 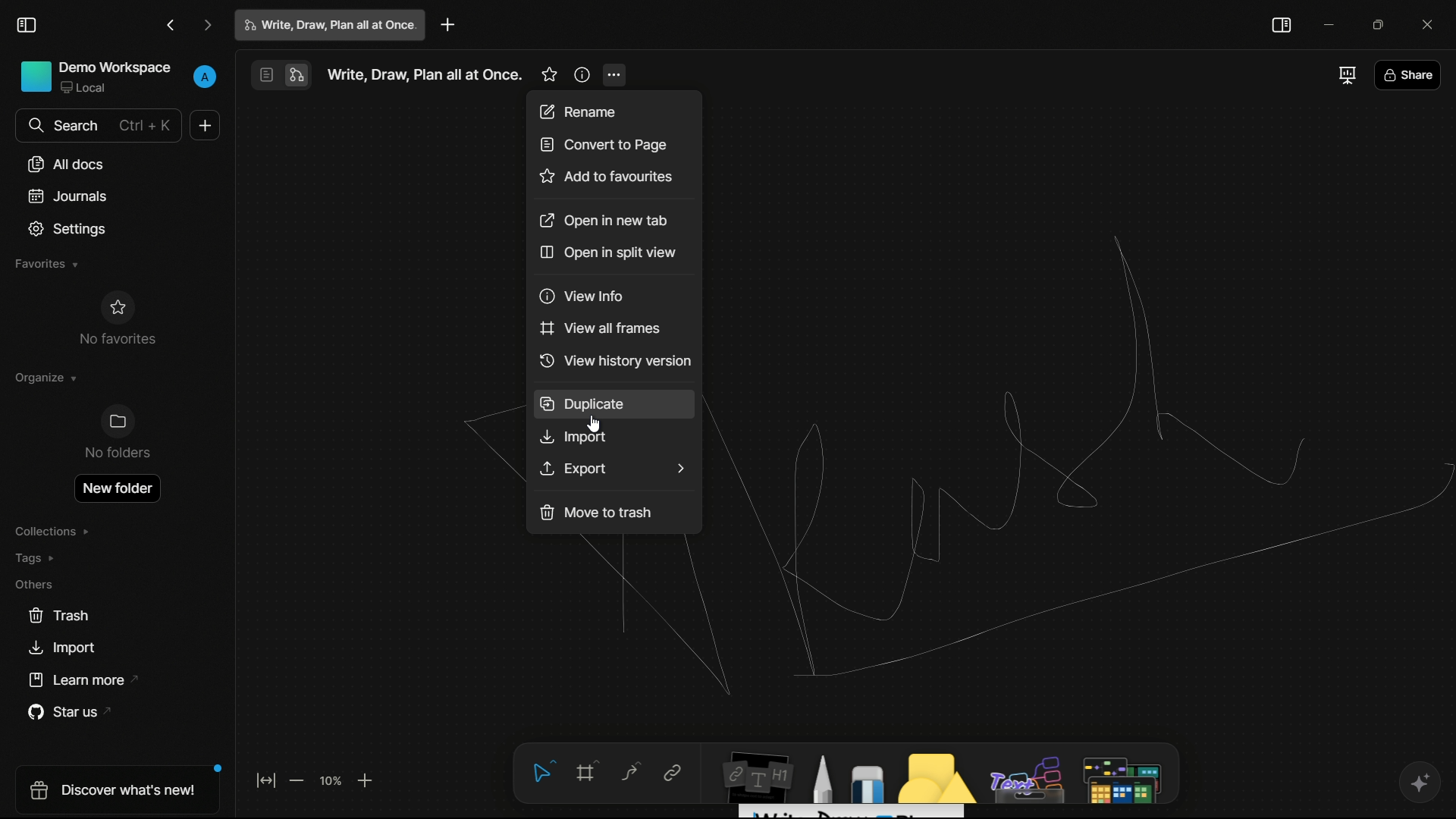 I want to click on minimize, so click(x=1327, y=27).